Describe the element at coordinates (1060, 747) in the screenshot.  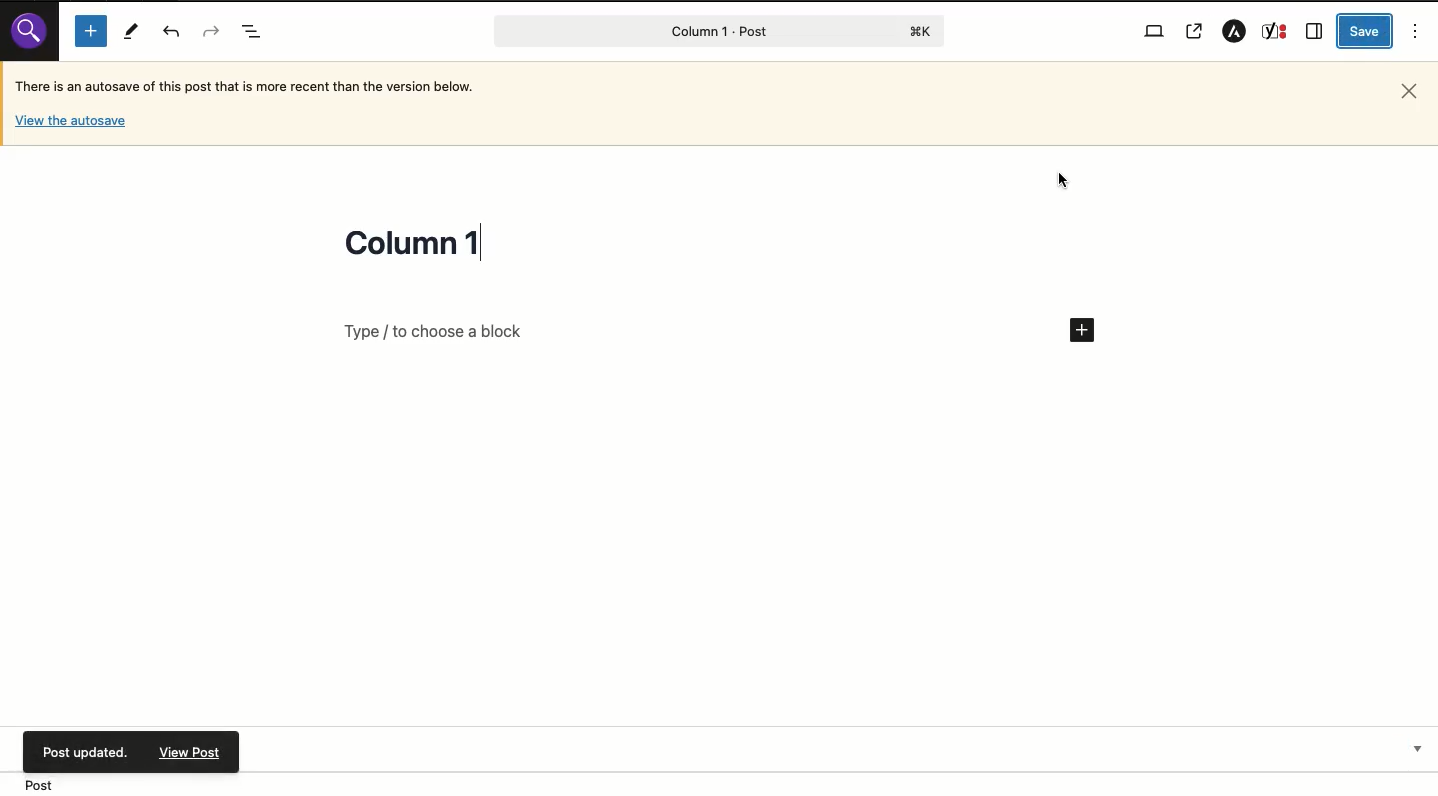
I see `Yoast SEO` at that location.